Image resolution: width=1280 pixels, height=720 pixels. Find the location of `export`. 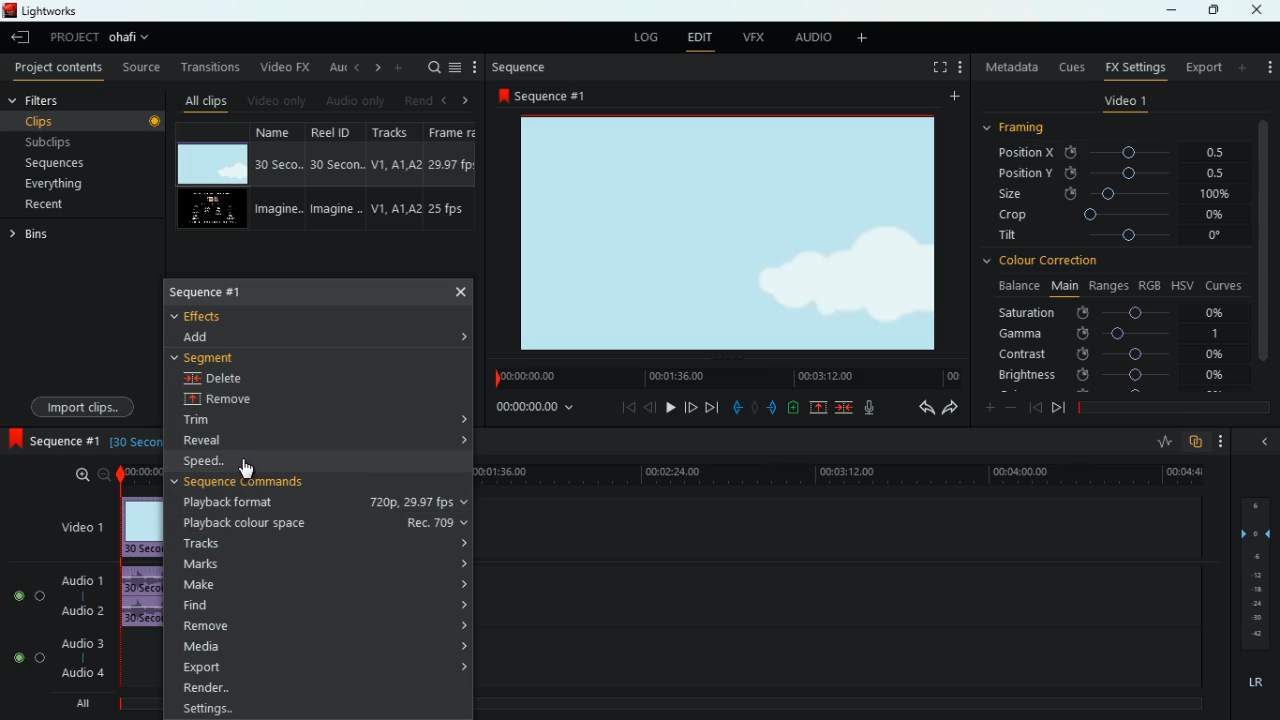

export is located at coordinates (1199, 67).